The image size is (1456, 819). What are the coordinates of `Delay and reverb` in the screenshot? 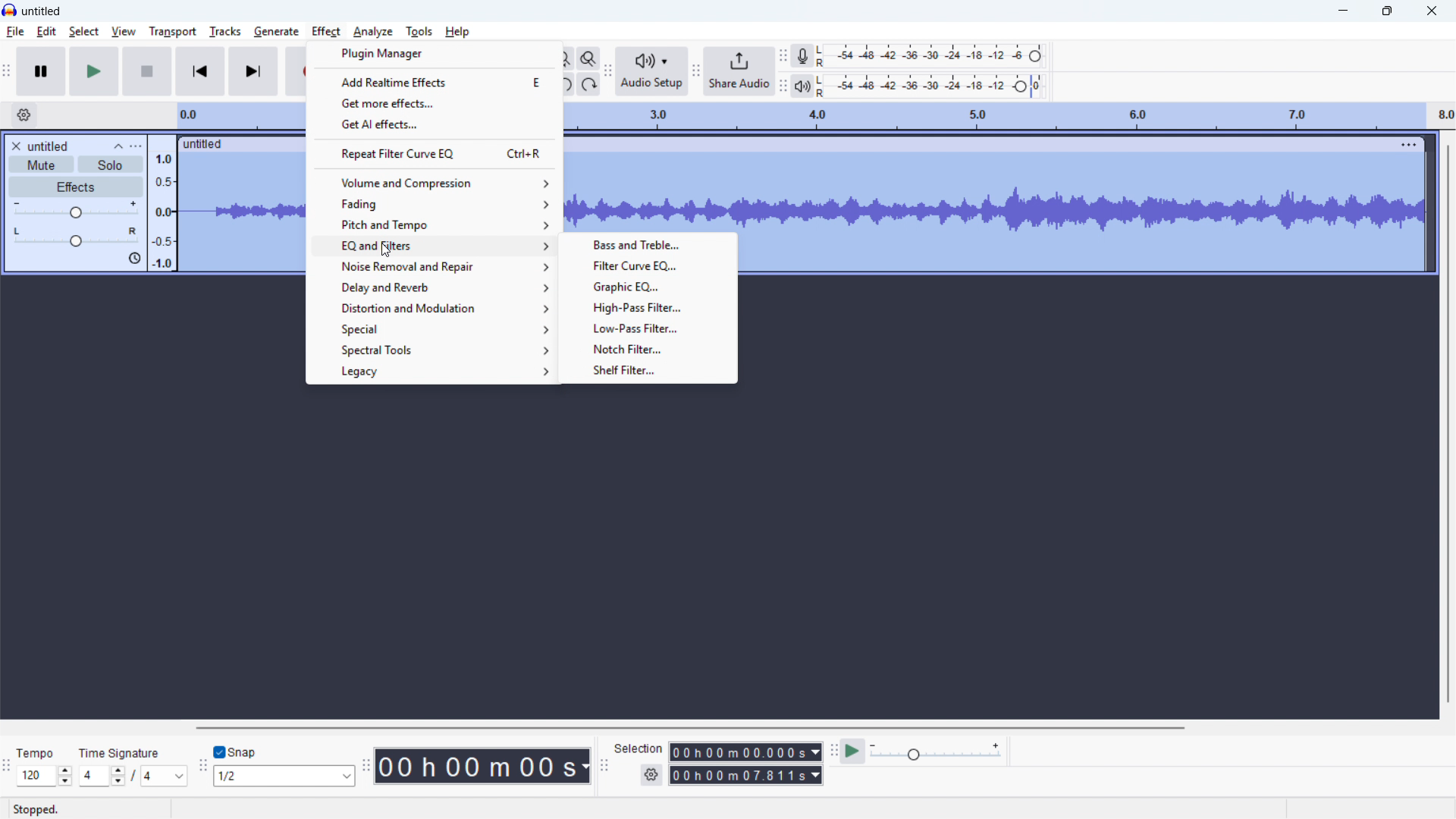 It's located at (433, 287).